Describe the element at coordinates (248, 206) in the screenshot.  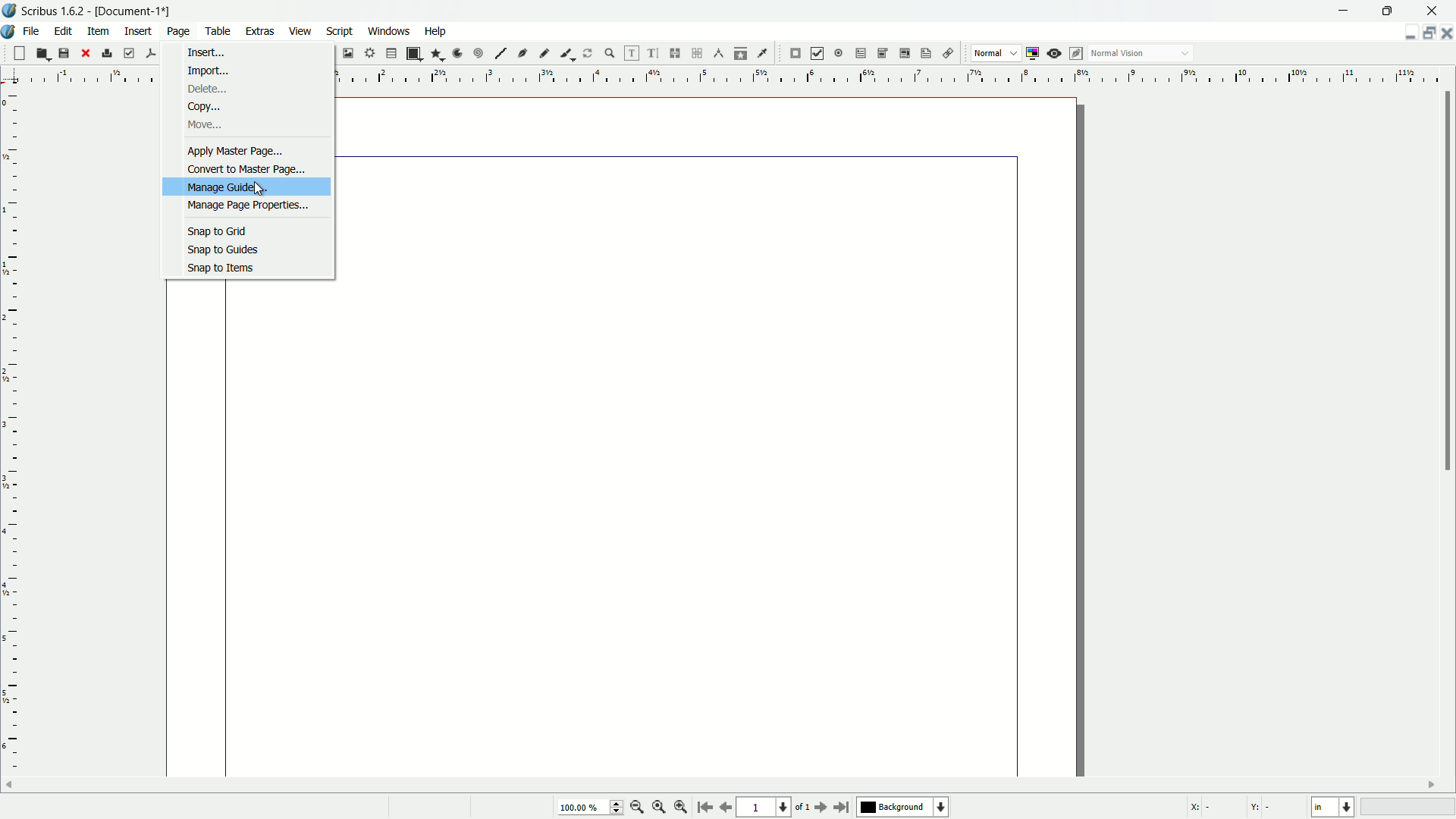
I see `manage page properties` at that location.